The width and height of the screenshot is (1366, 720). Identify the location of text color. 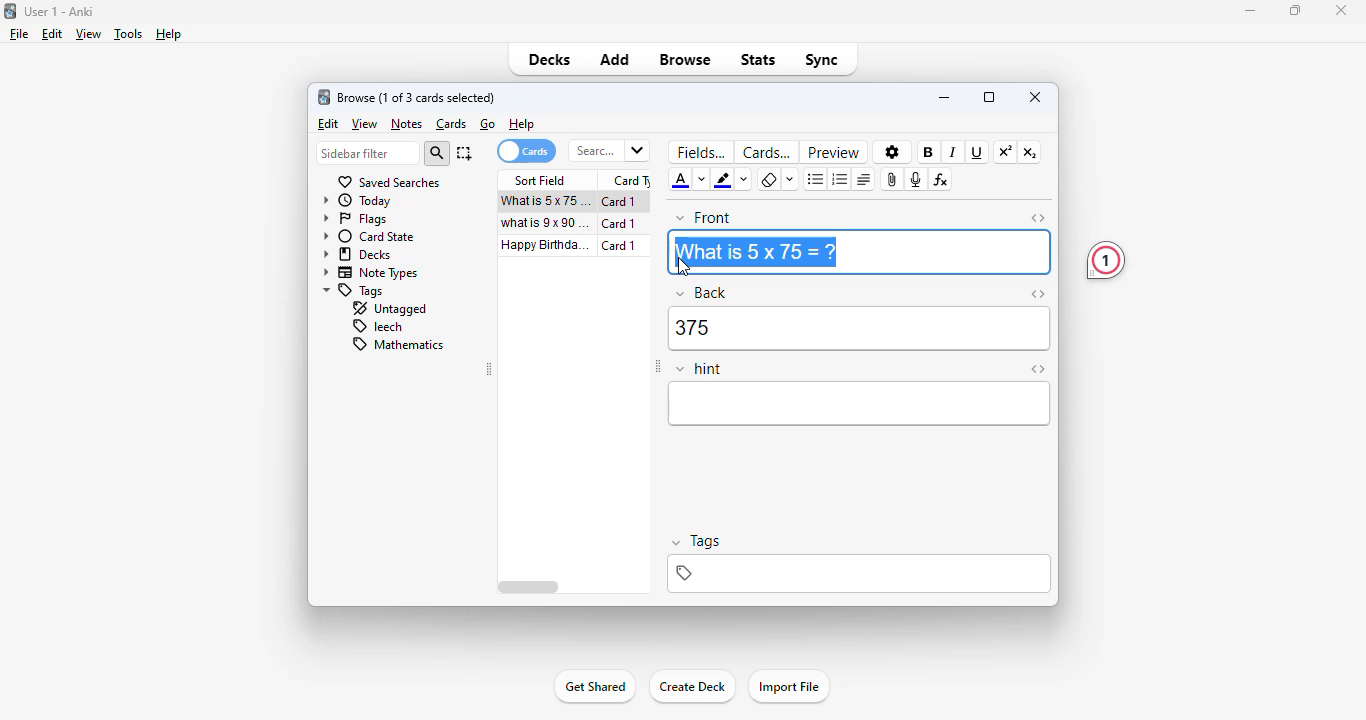
(680, 181).